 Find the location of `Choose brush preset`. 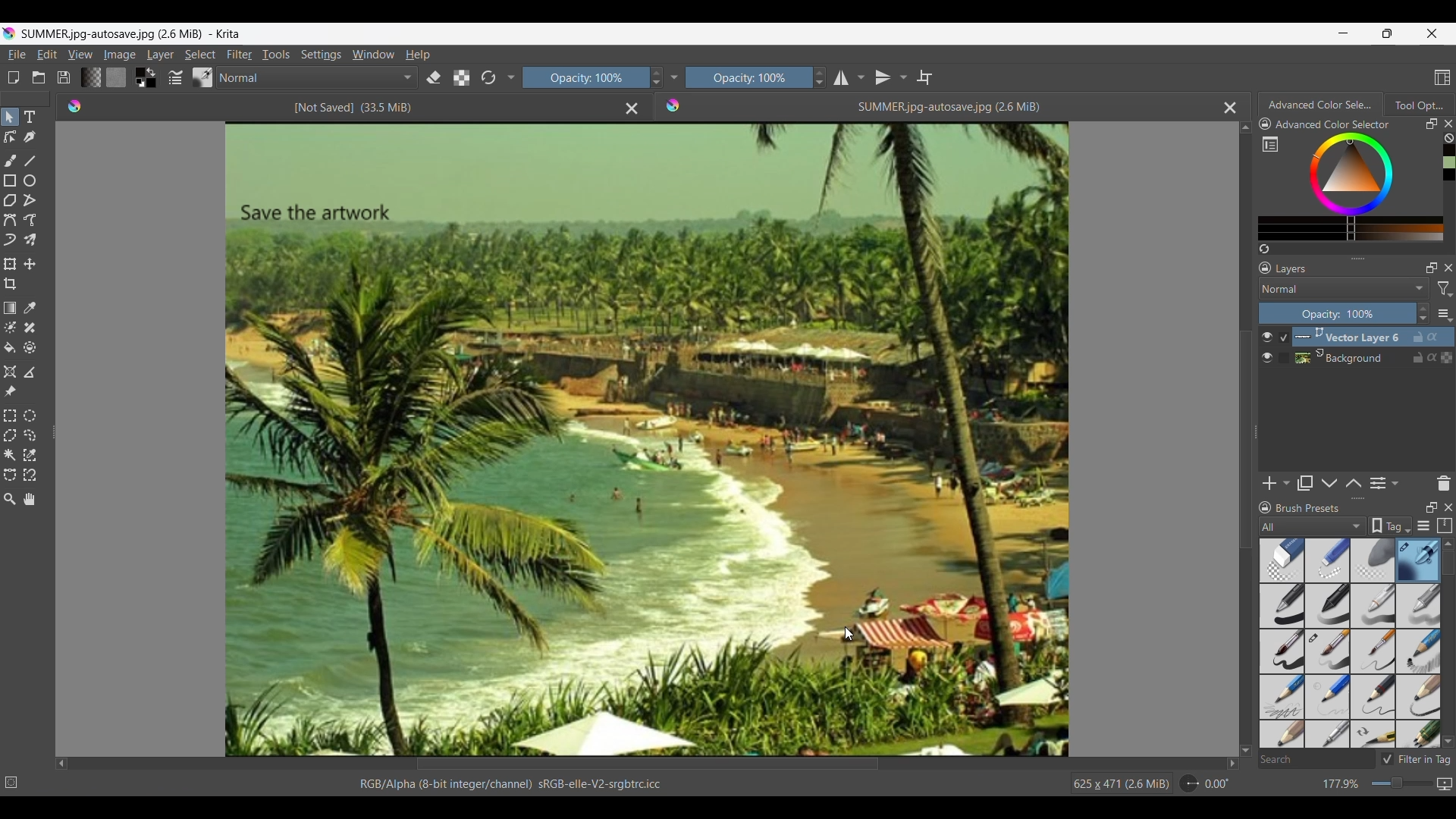

Choose brush preset is located at coordinates (202, 77).